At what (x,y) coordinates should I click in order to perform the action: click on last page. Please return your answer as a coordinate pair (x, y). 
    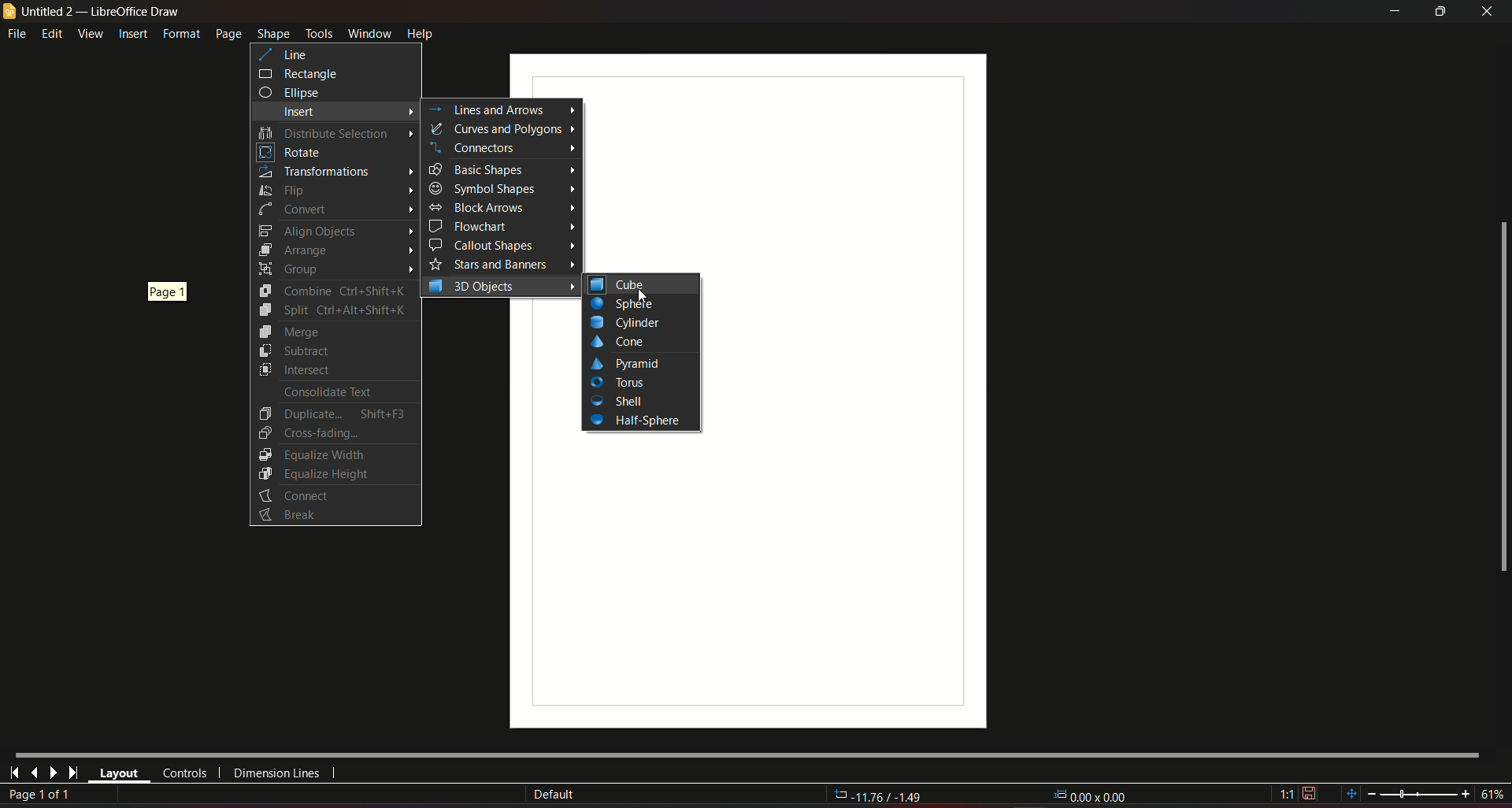
    Looking at the image, I should click on (34, 772).